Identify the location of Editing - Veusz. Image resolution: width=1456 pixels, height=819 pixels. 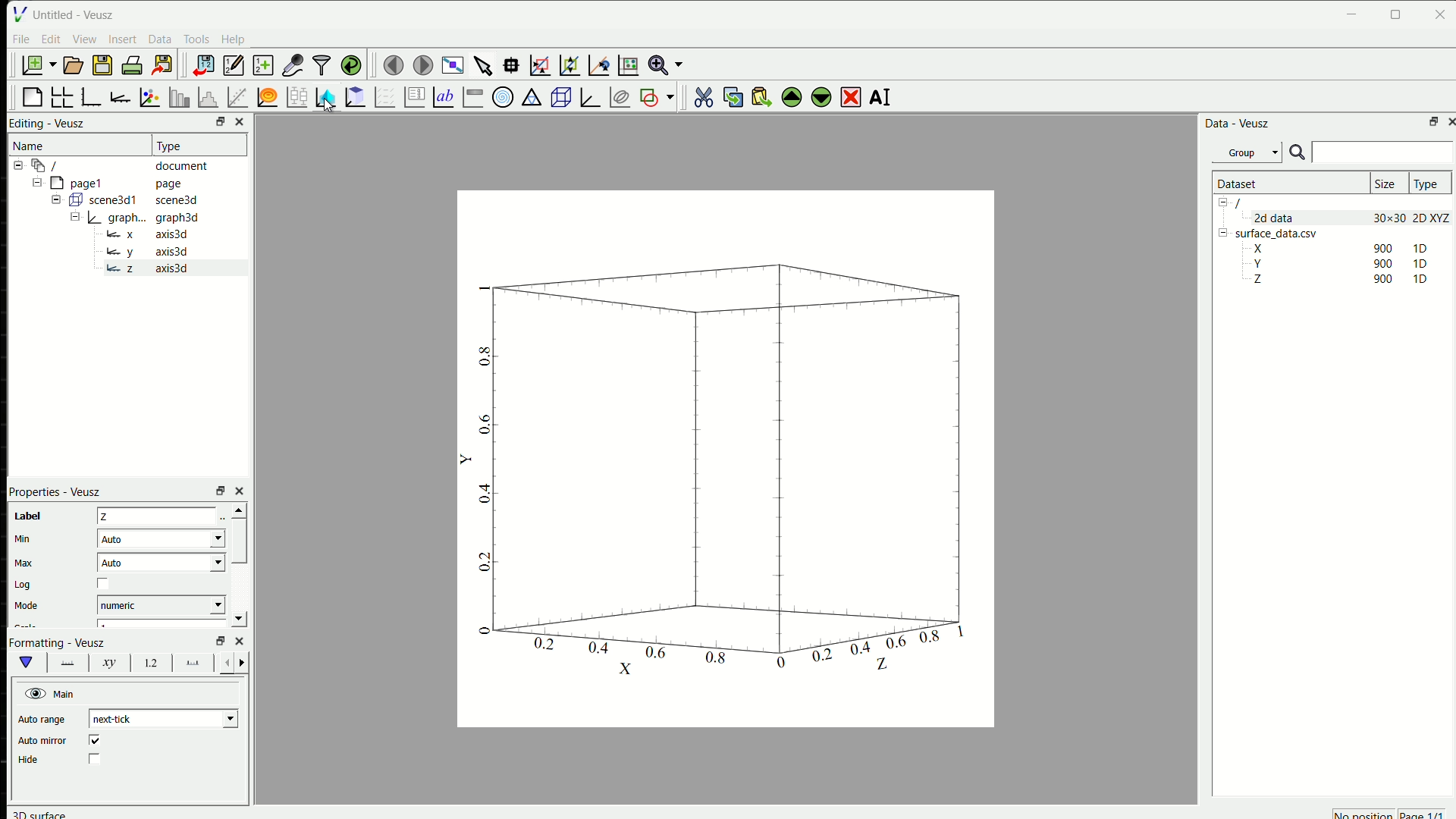
(49, 124).